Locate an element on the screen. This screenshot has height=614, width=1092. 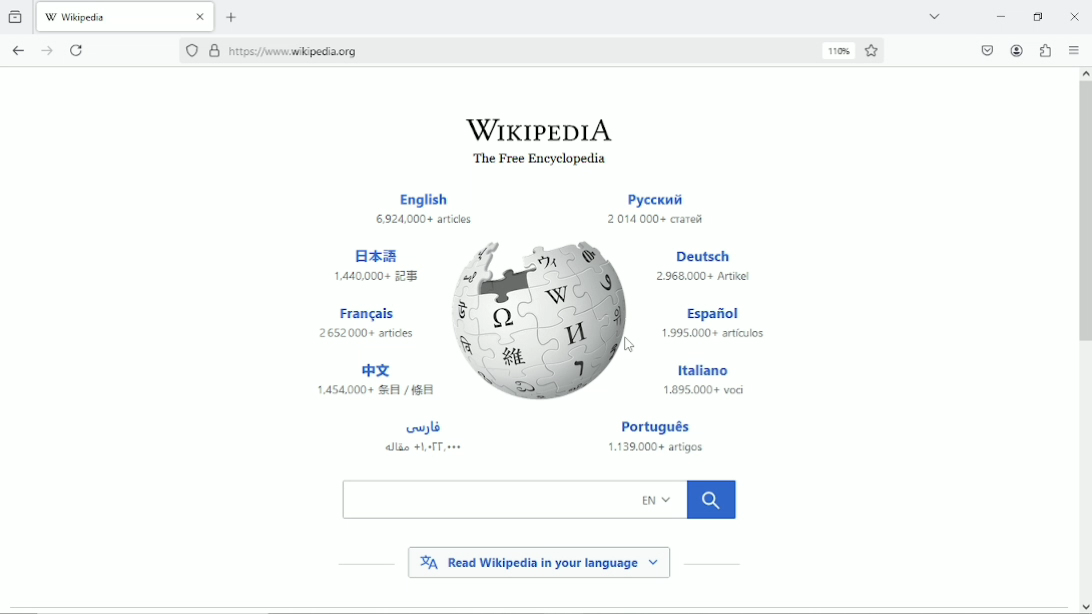
Verified by DigiCert Inc is located at coordinates (214, 53).